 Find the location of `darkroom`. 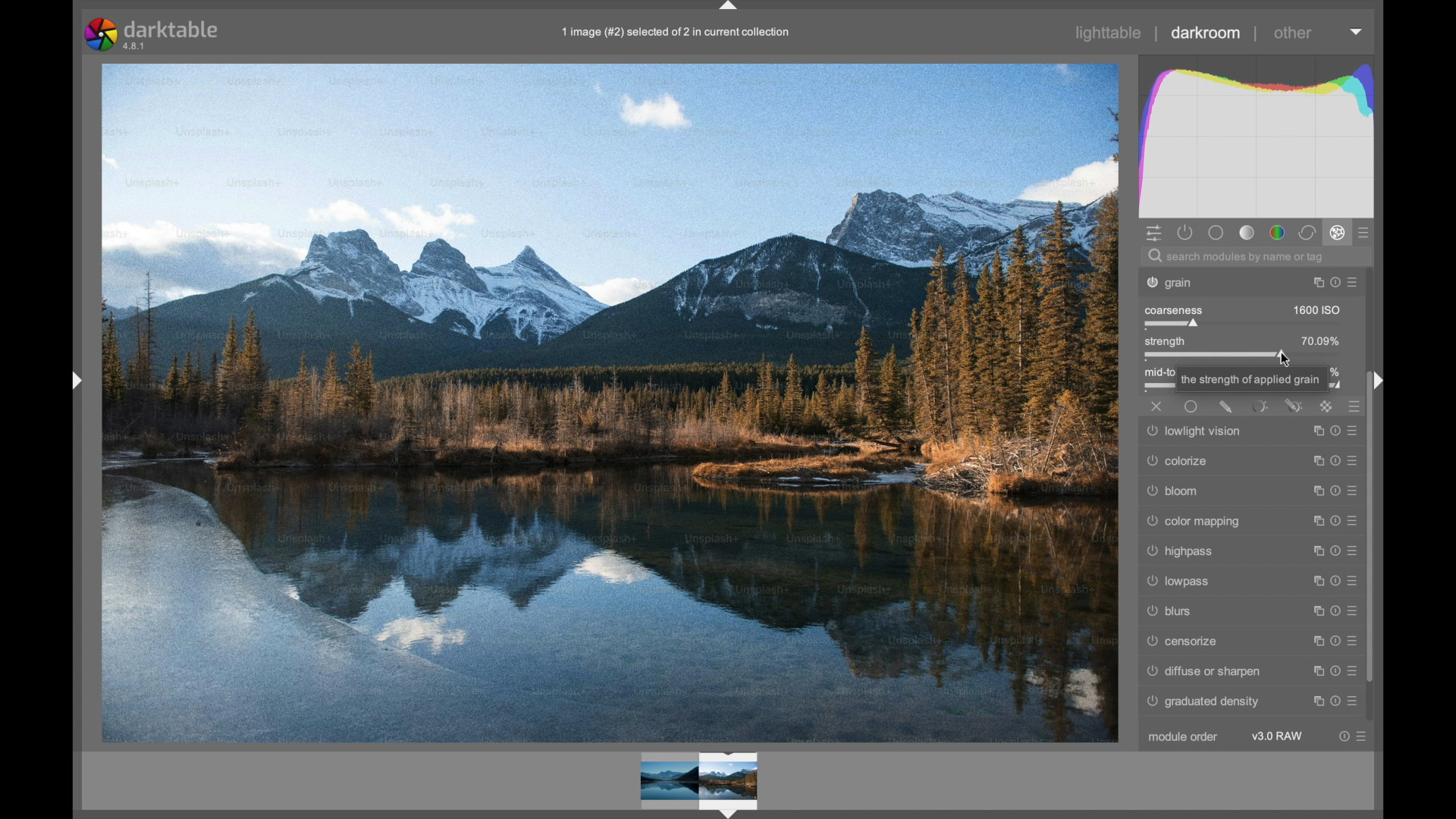

darkroom is located at coordinates (1206, 32).